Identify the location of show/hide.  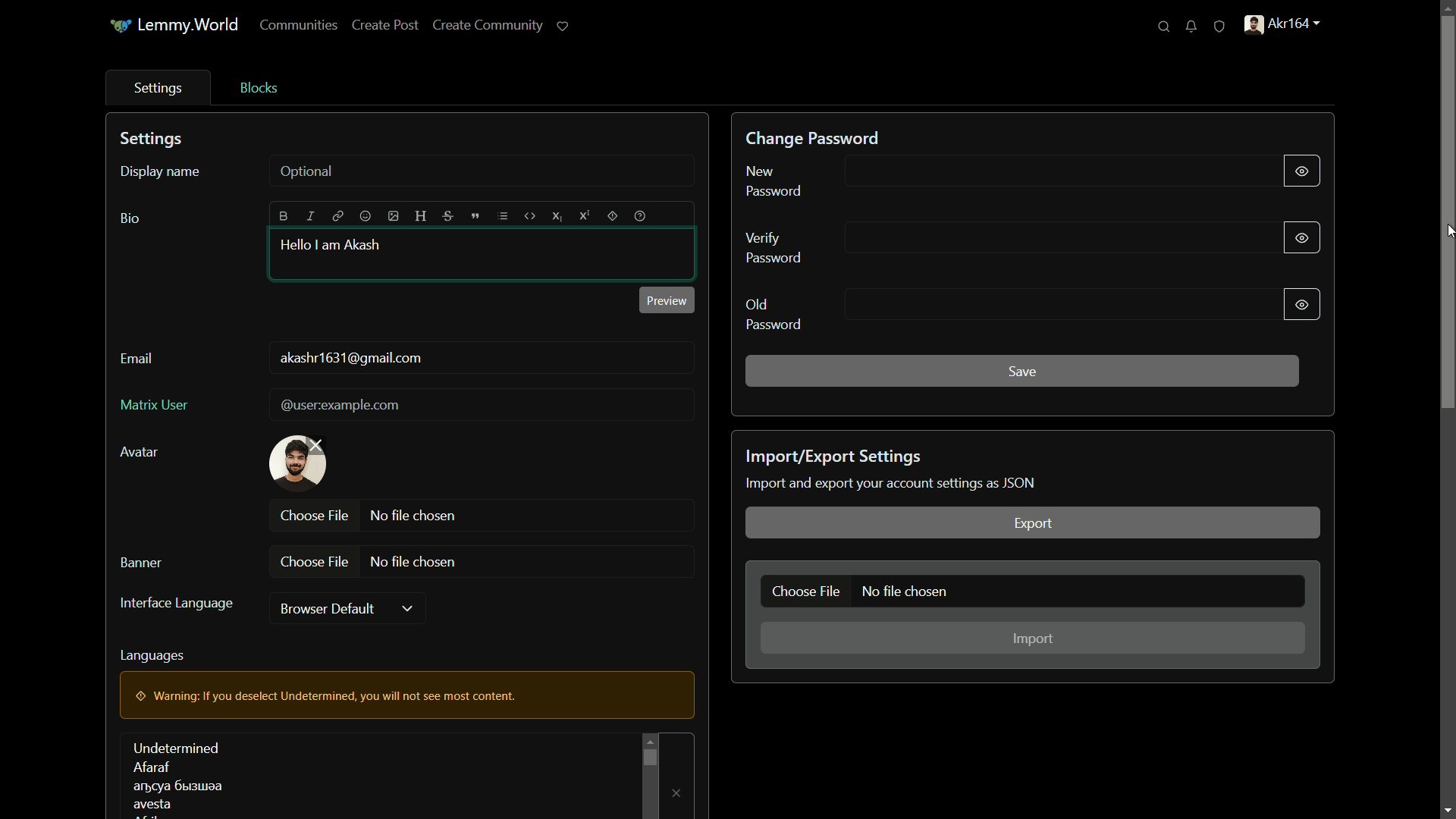
(1302, 170).